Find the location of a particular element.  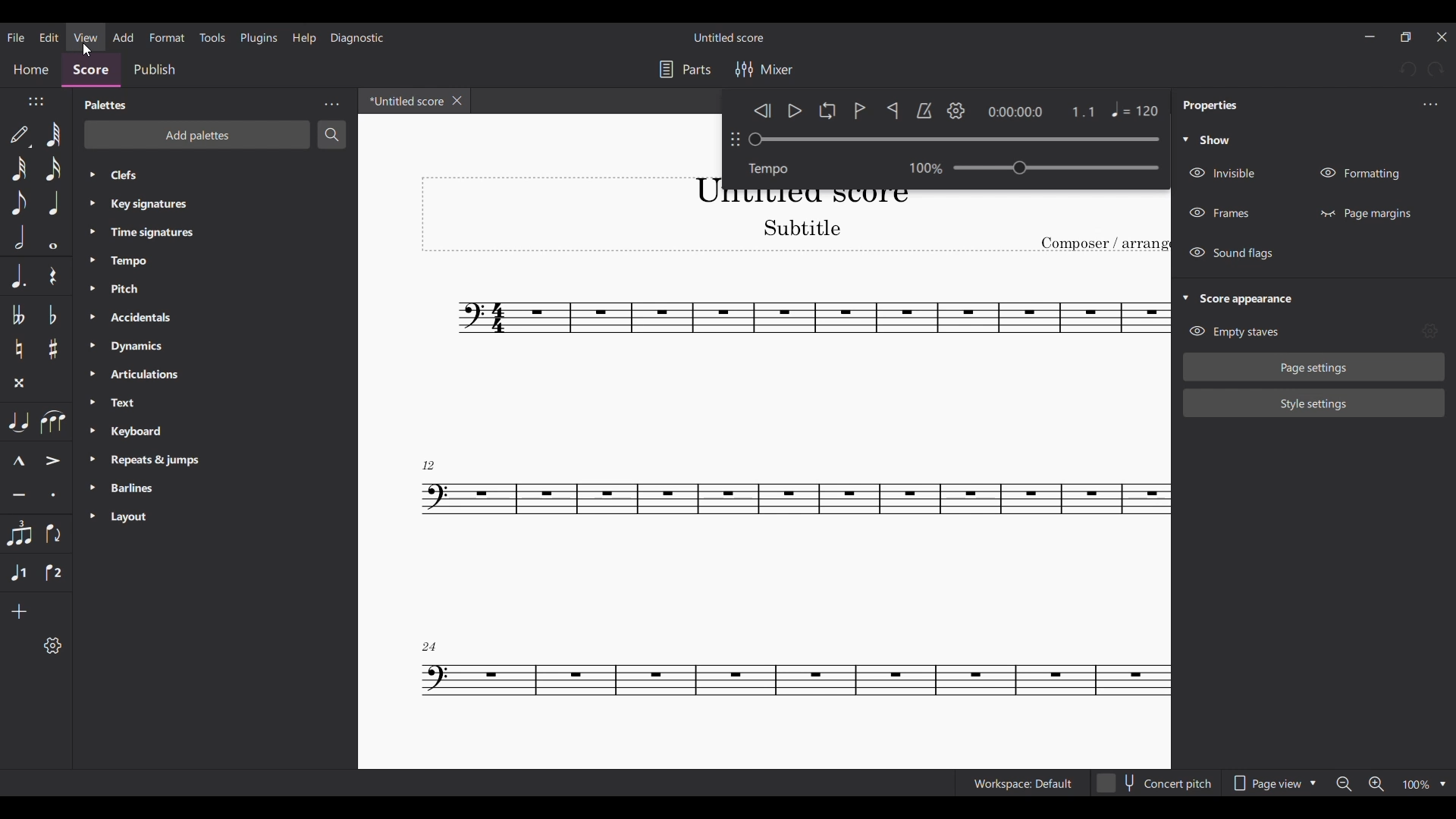

Tempo is located at coordinates (1057, 167).